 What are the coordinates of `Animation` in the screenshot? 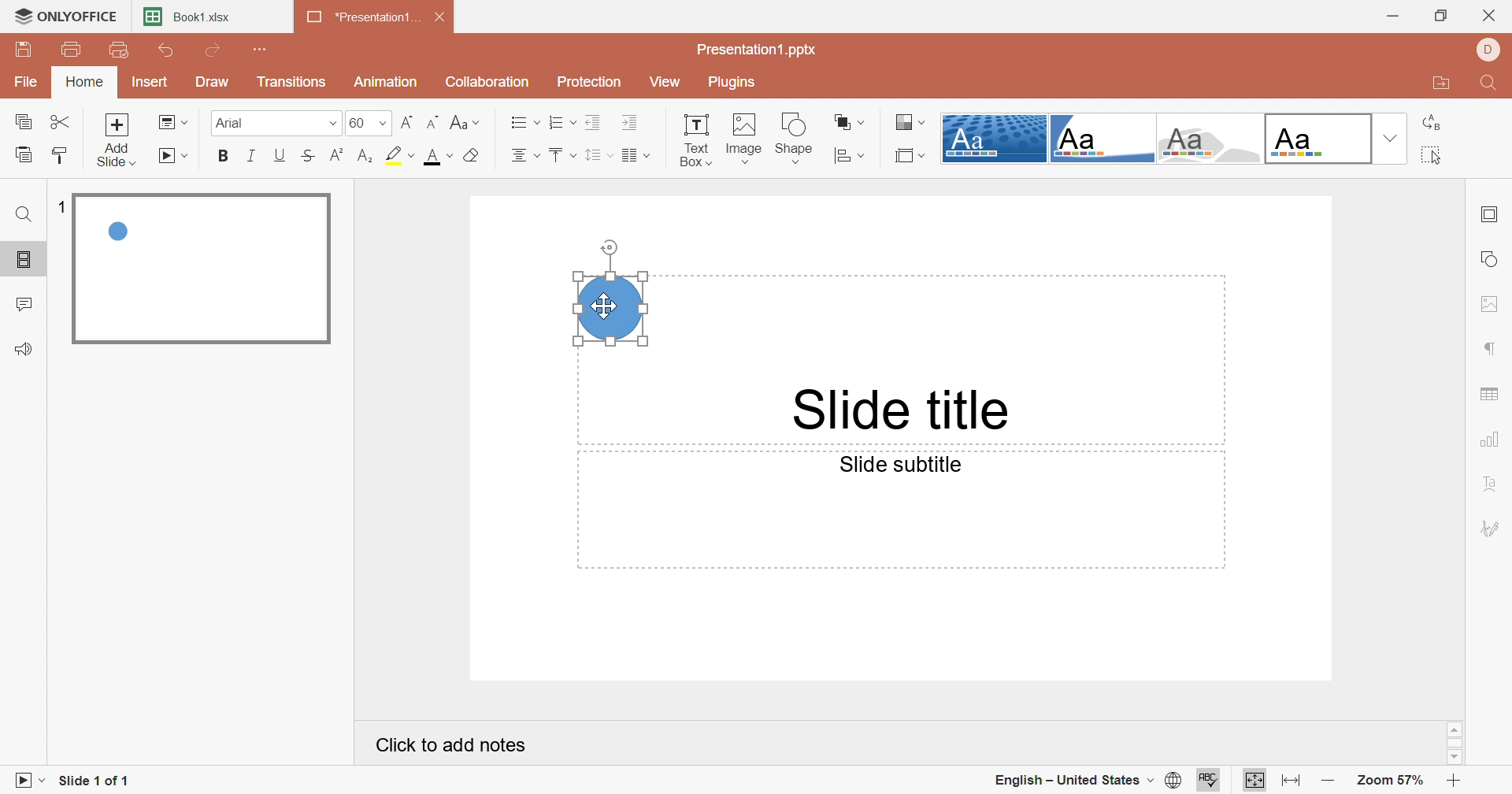 It's located at (387, 80).